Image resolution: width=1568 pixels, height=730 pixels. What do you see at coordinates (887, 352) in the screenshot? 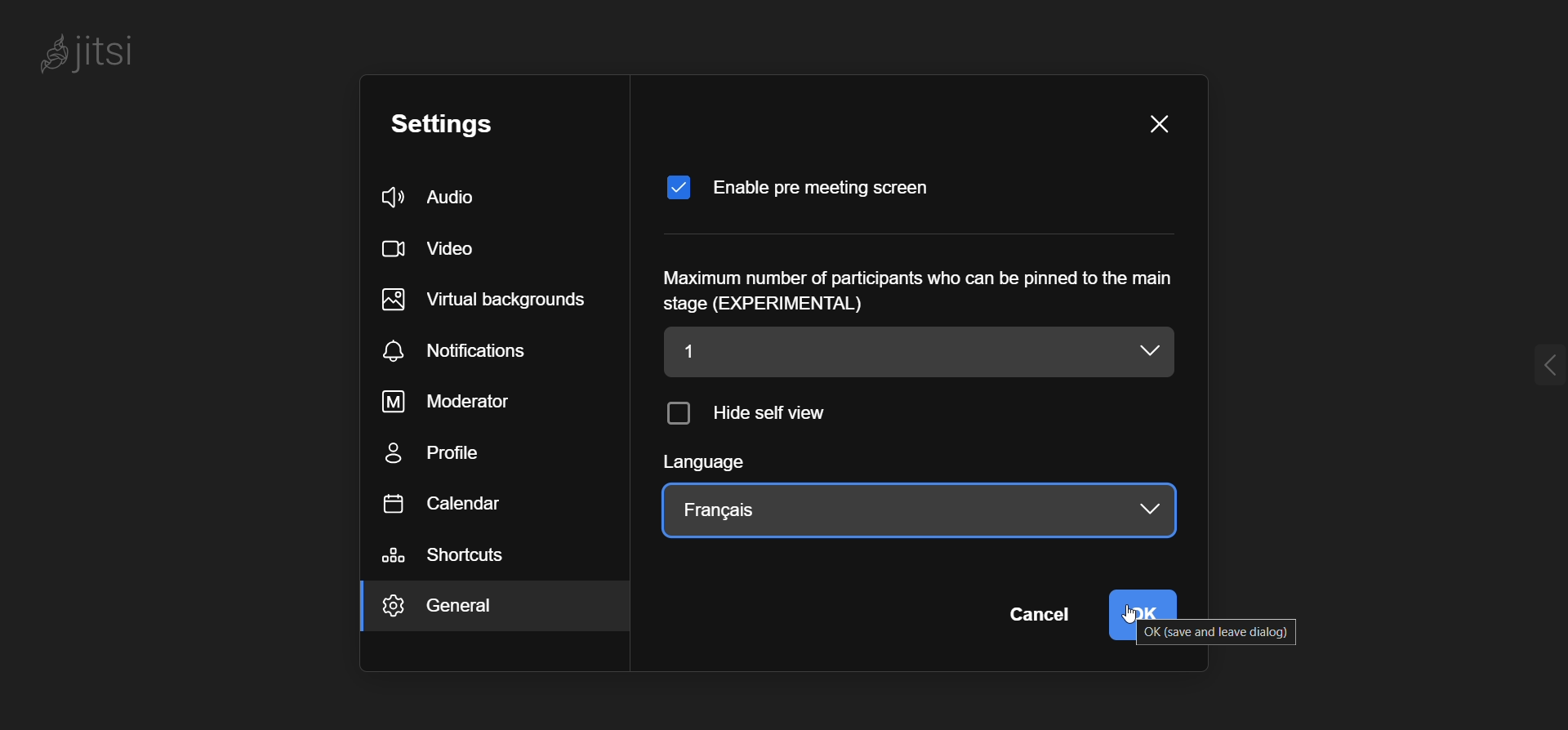
I see `1` at bounding box center [887, 352].